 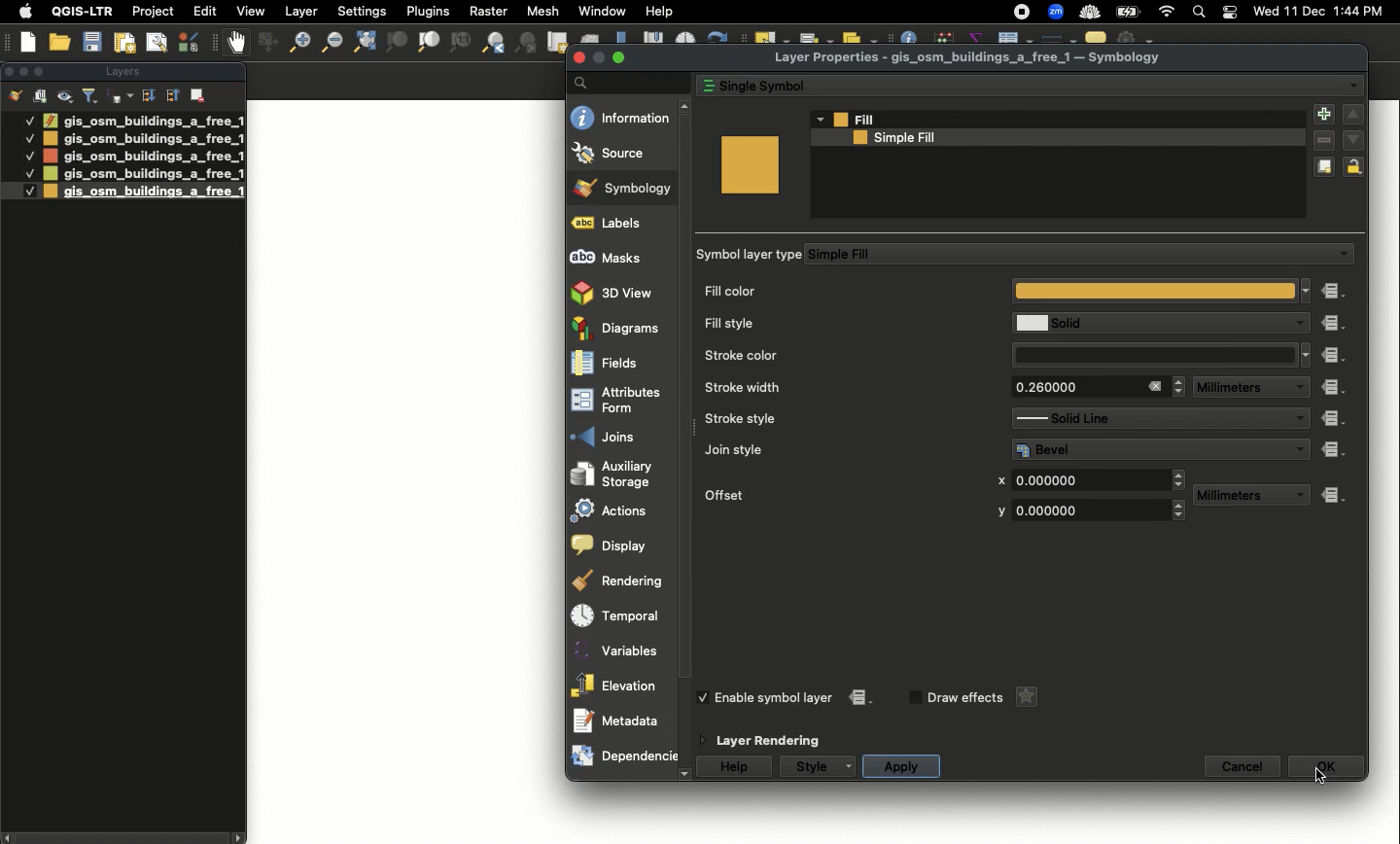 What do you see at coordinates (1298, 388) in the screenshot?
I see `Drop down` at bounding box center [1298, 388].